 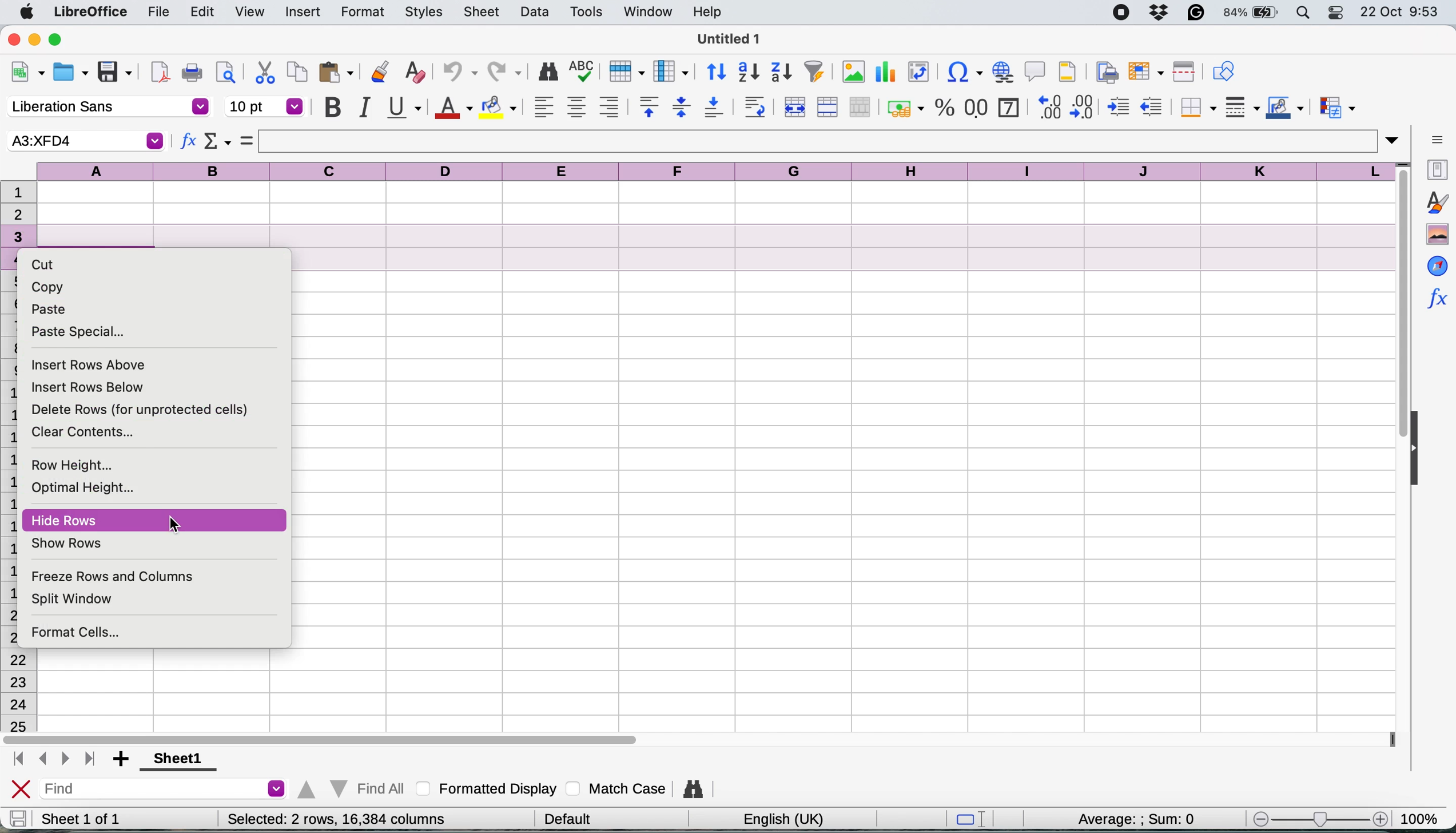 I want to click on edit, so click(x=204, y=11).